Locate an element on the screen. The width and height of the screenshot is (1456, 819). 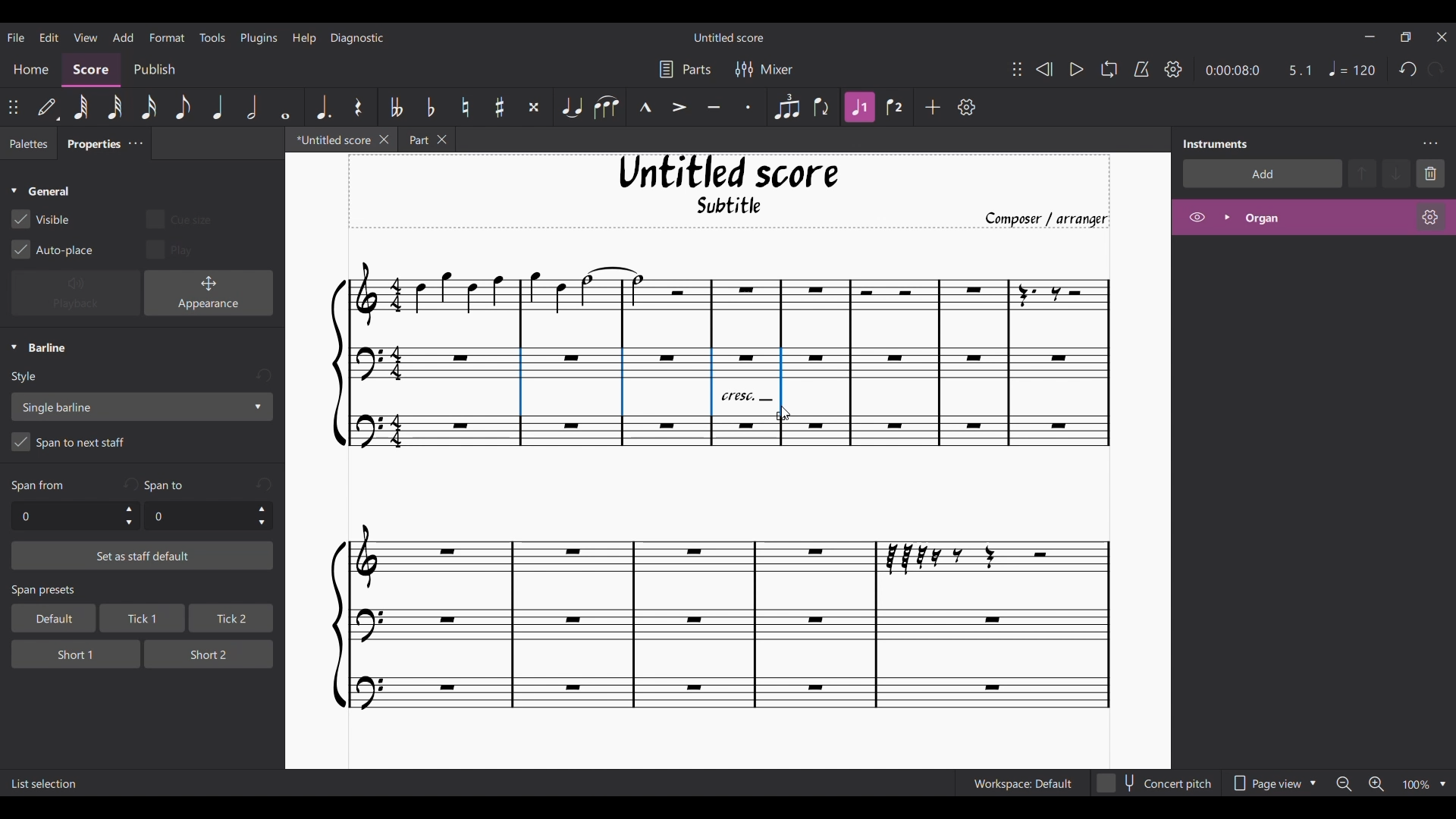
Highlighted due to current selection is located at coordinates (859, 107).